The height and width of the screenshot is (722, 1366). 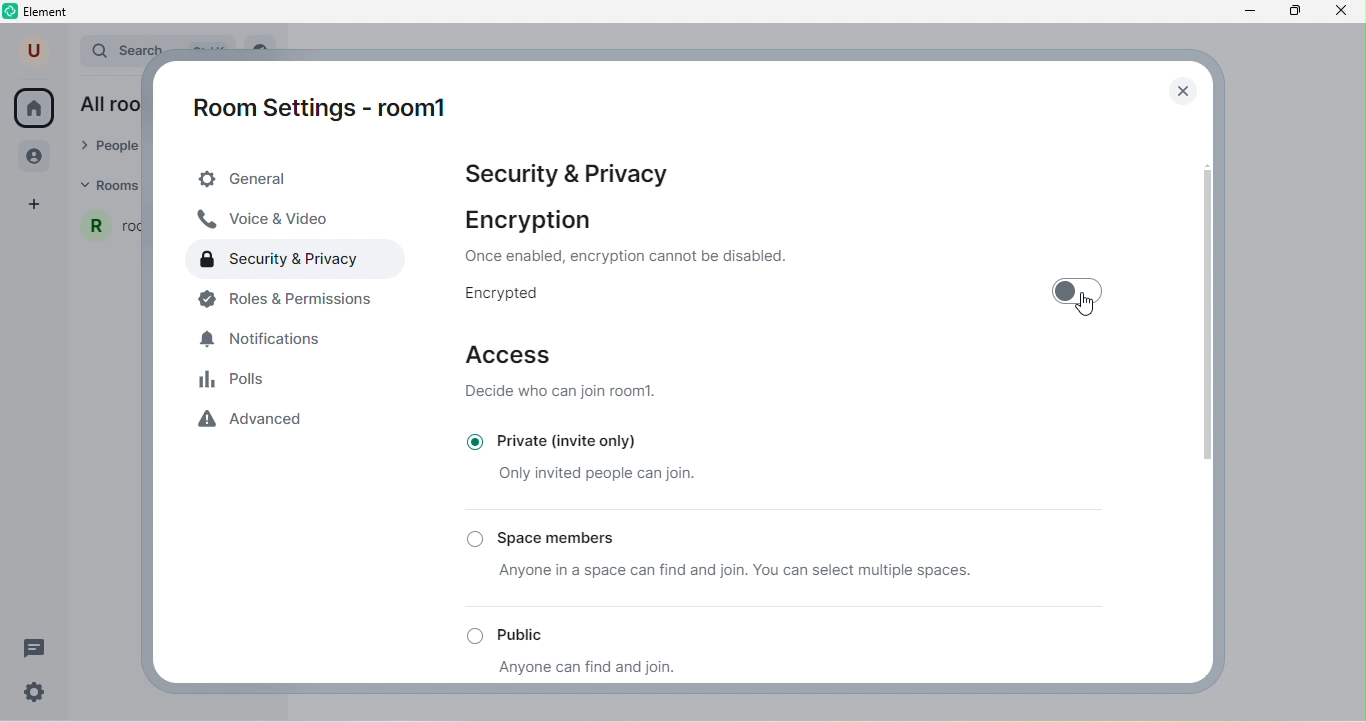 What do you see at coordinates (36, 50) in the screenshot?
I see `user` at bounding box center [36, 50].